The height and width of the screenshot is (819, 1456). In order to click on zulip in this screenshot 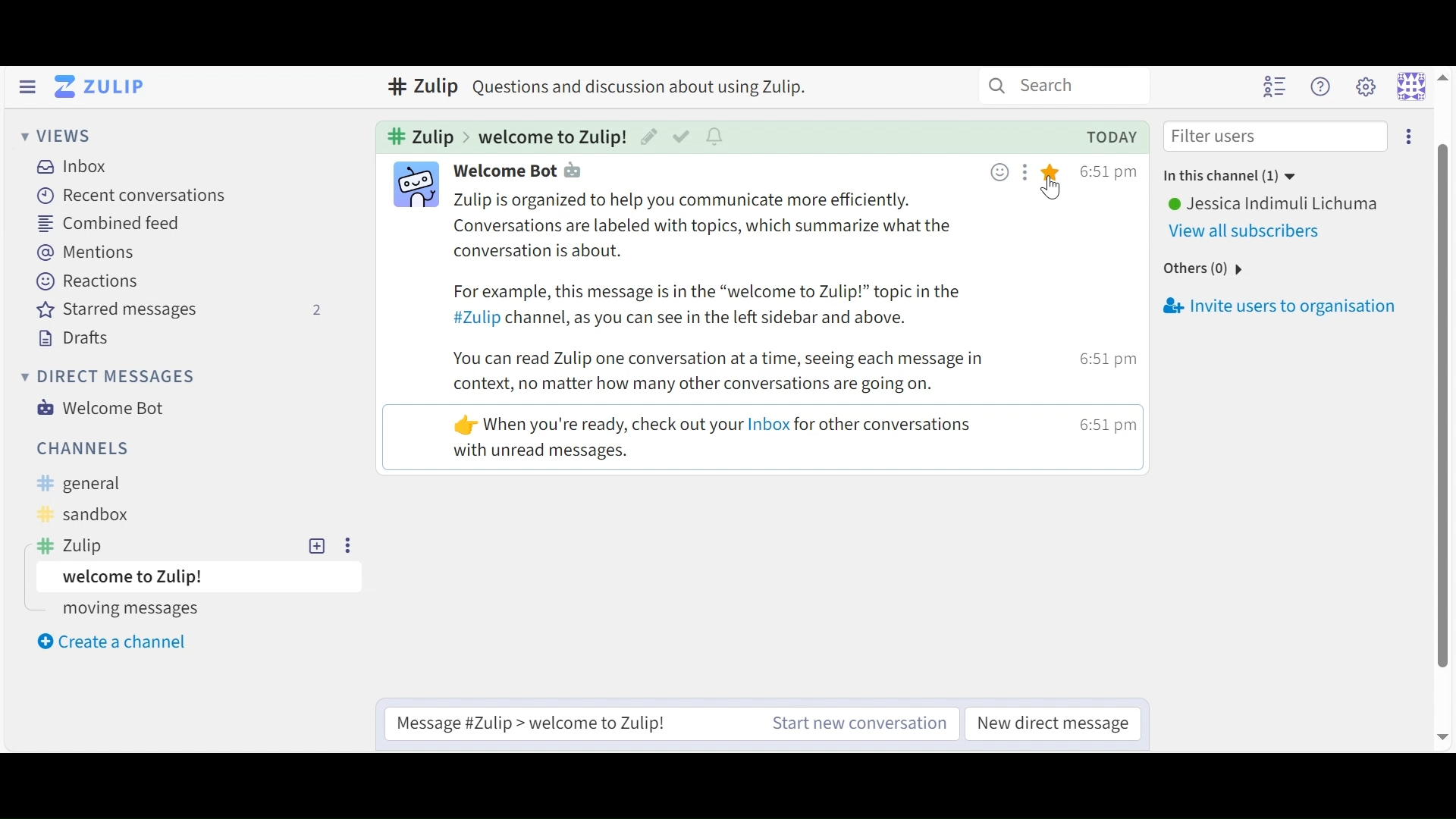, I will do `click(414, 87)`.